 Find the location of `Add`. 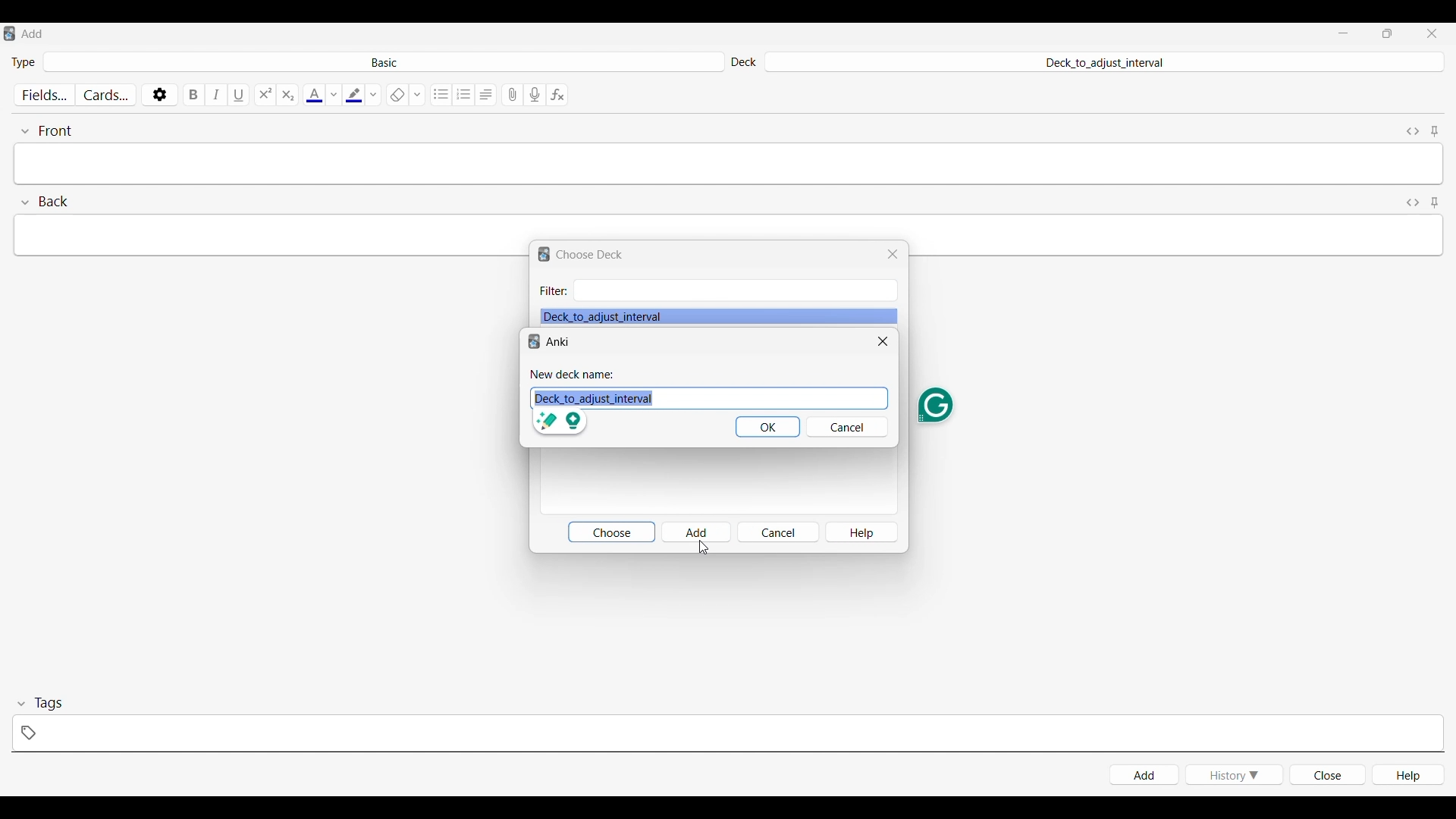

Add is located at coordinates (697, 532).